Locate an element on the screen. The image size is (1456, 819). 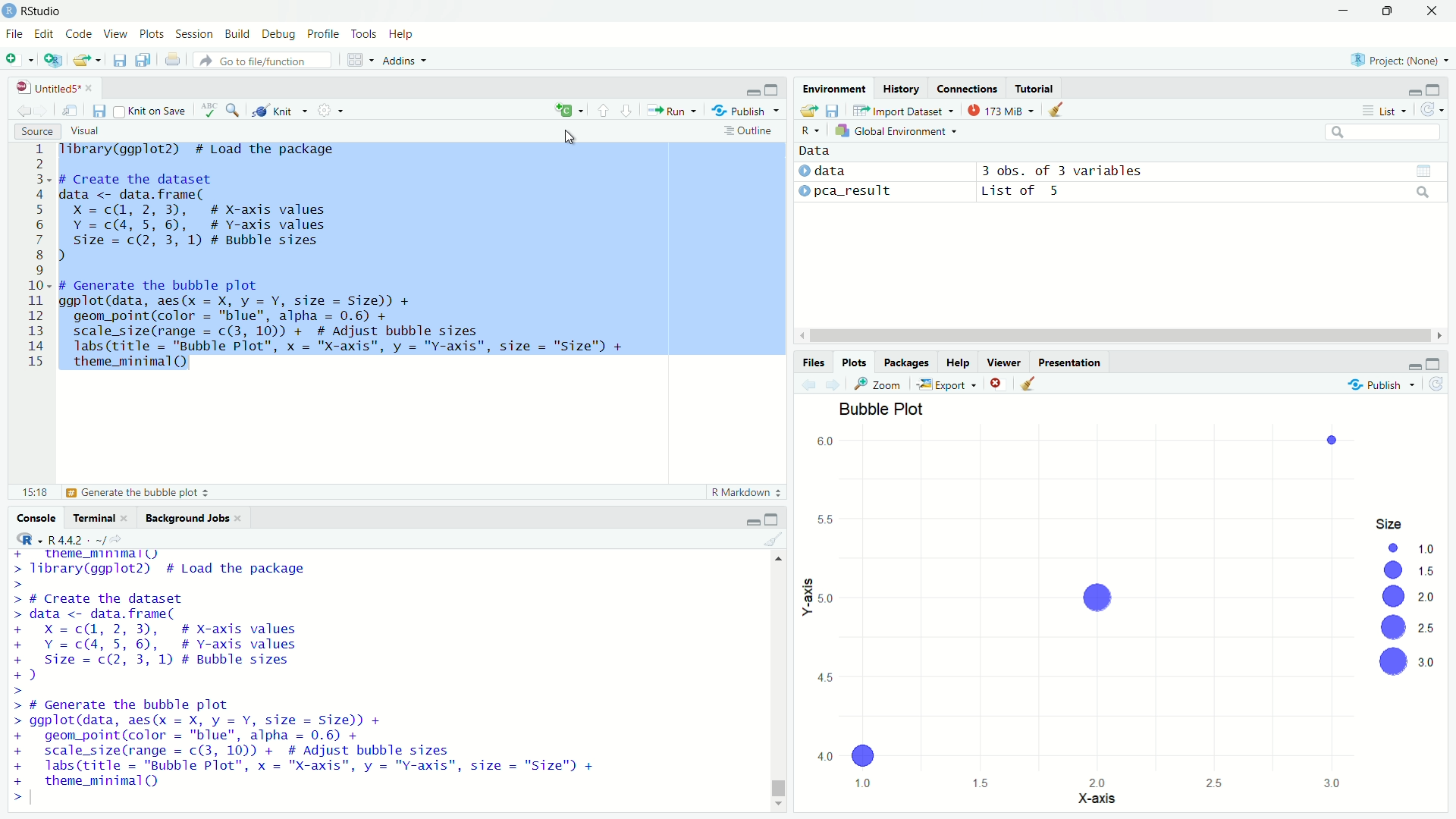
vertical scrollbar is located at coordinates (779, 784).